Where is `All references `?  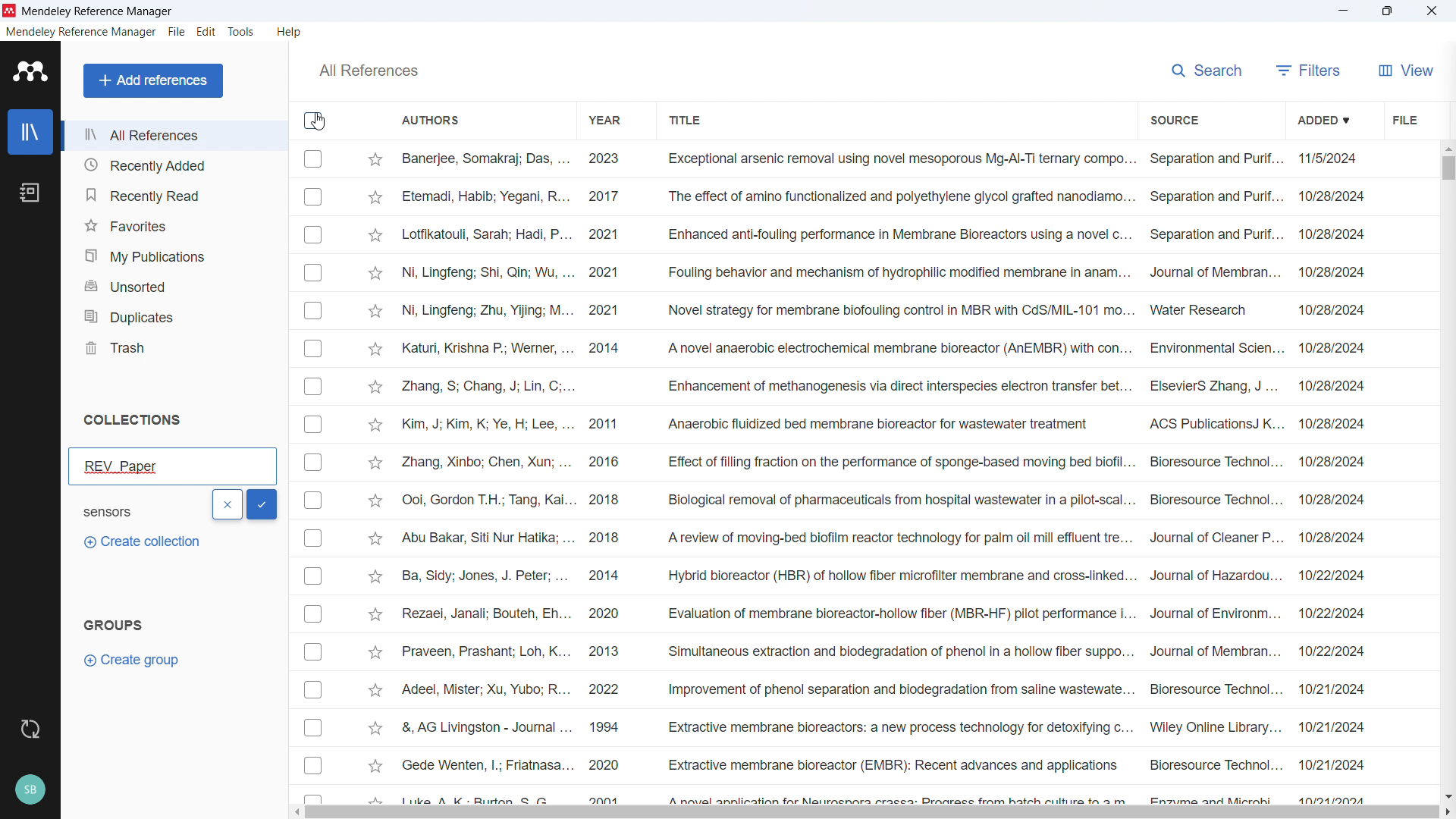 All references  is located at coordinates (368, 71).